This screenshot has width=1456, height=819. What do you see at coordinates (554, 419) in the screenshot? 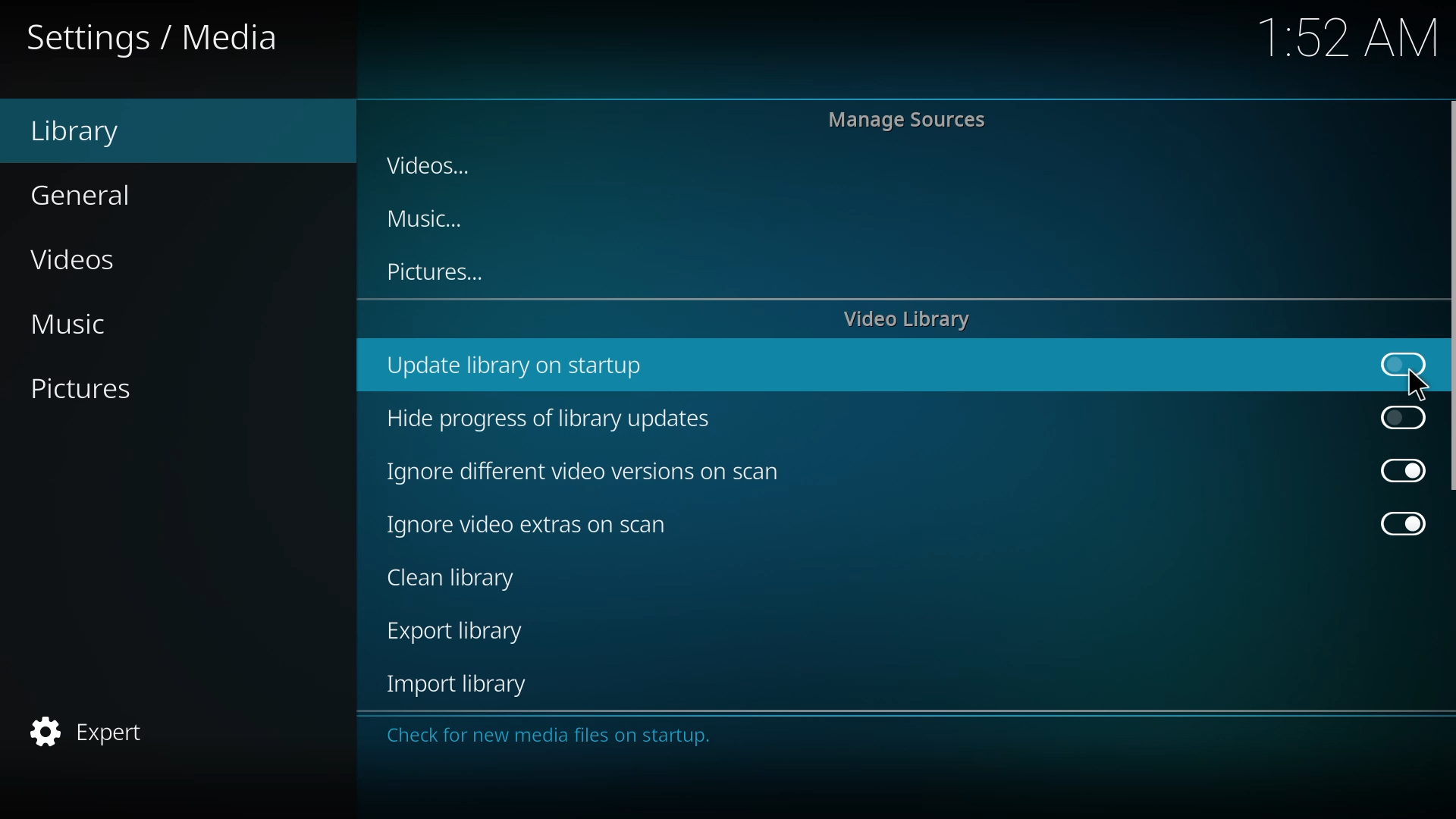
I see `hide progress of library updates` at bounding box center [554, 419].